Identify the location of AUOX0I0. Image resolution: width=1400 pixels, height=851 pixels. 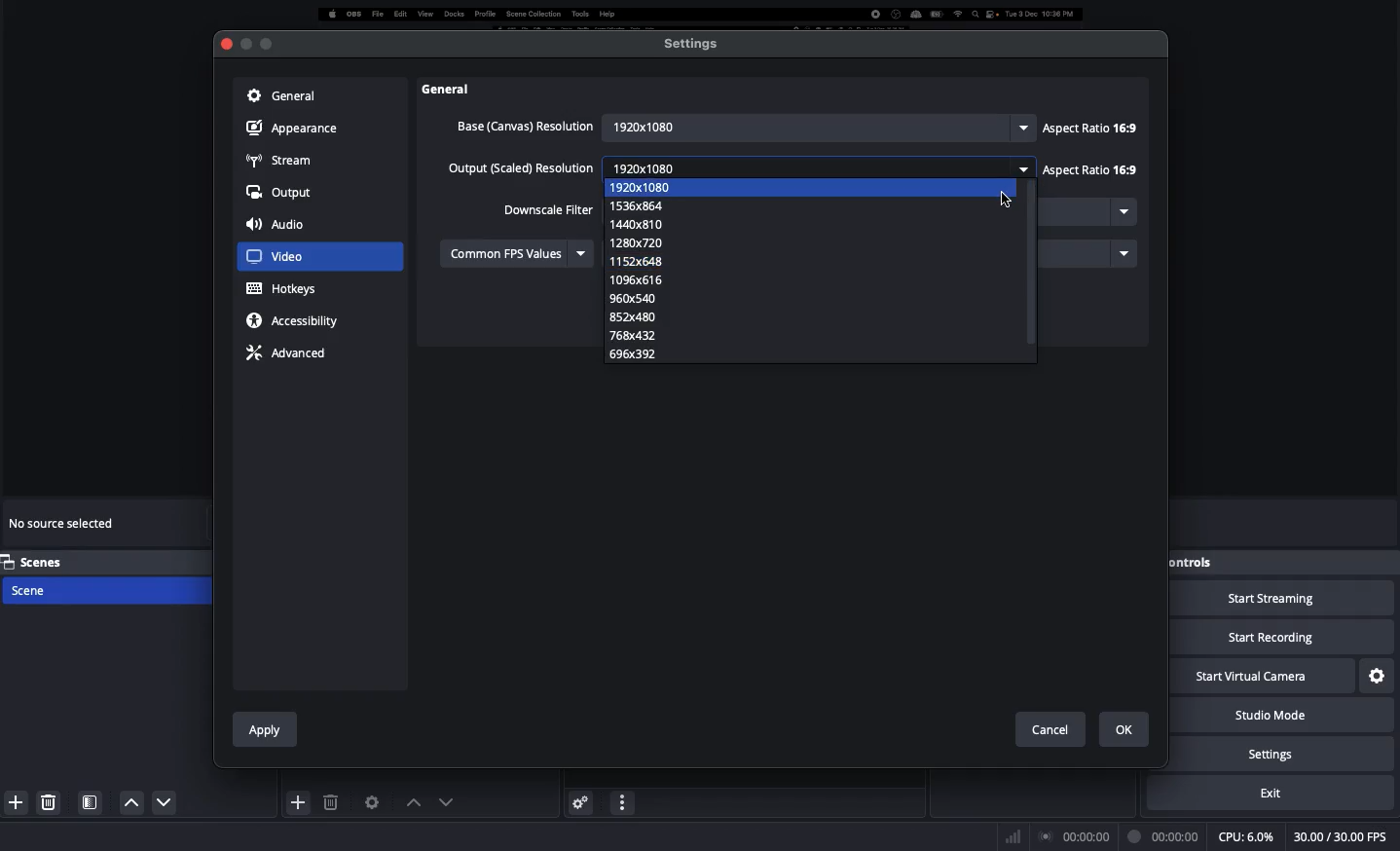
(646, 280).